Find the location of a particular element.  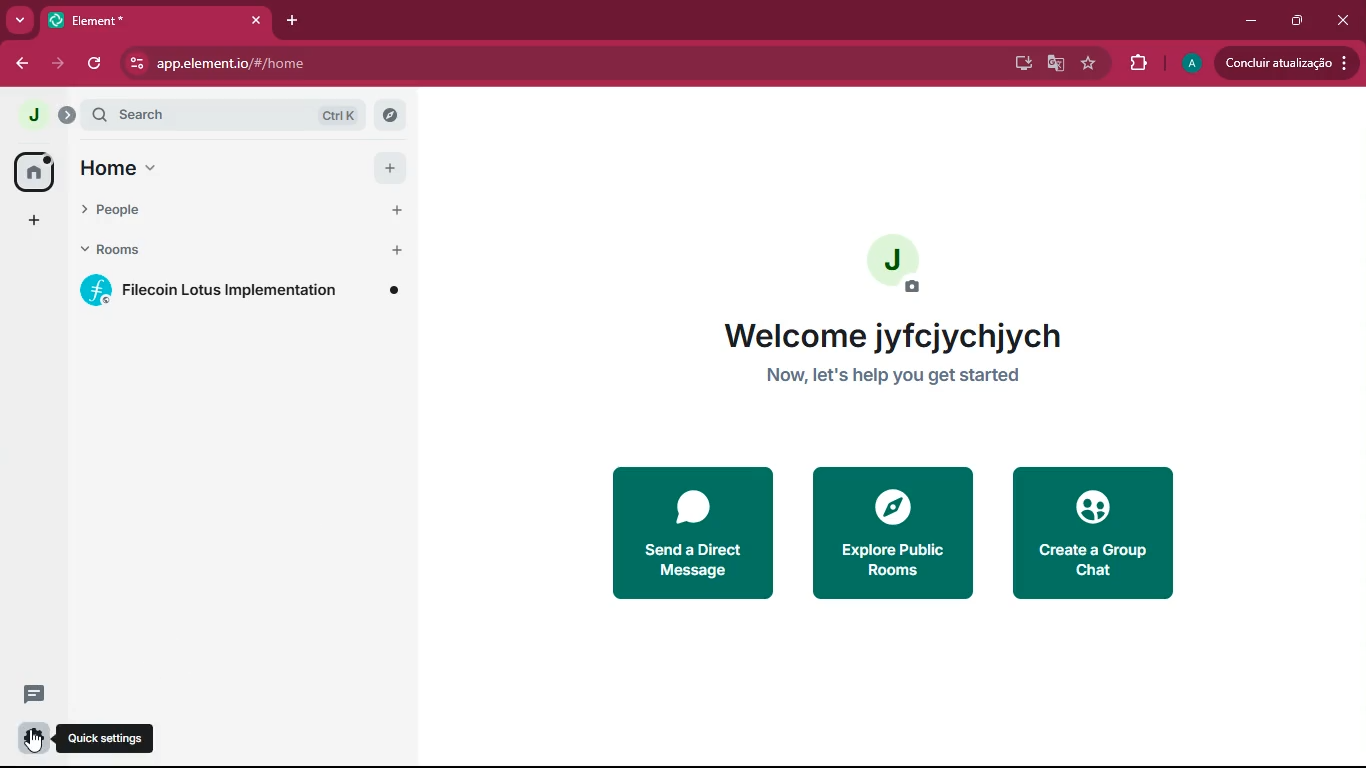

explore public rooms is located at coordinates (893, 532).